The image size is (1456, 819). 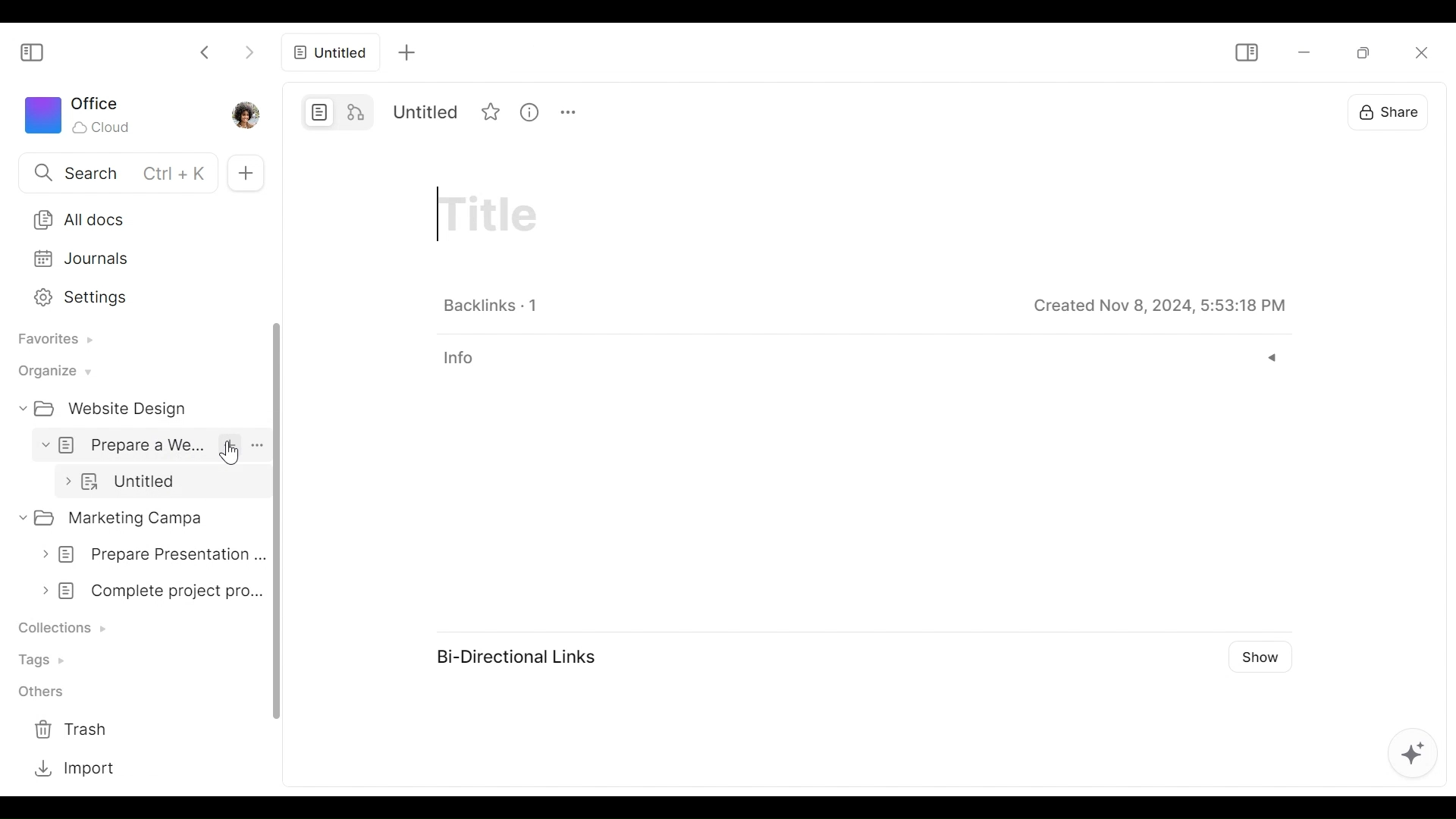 I want to click on Back , so click(x=206, y=52).